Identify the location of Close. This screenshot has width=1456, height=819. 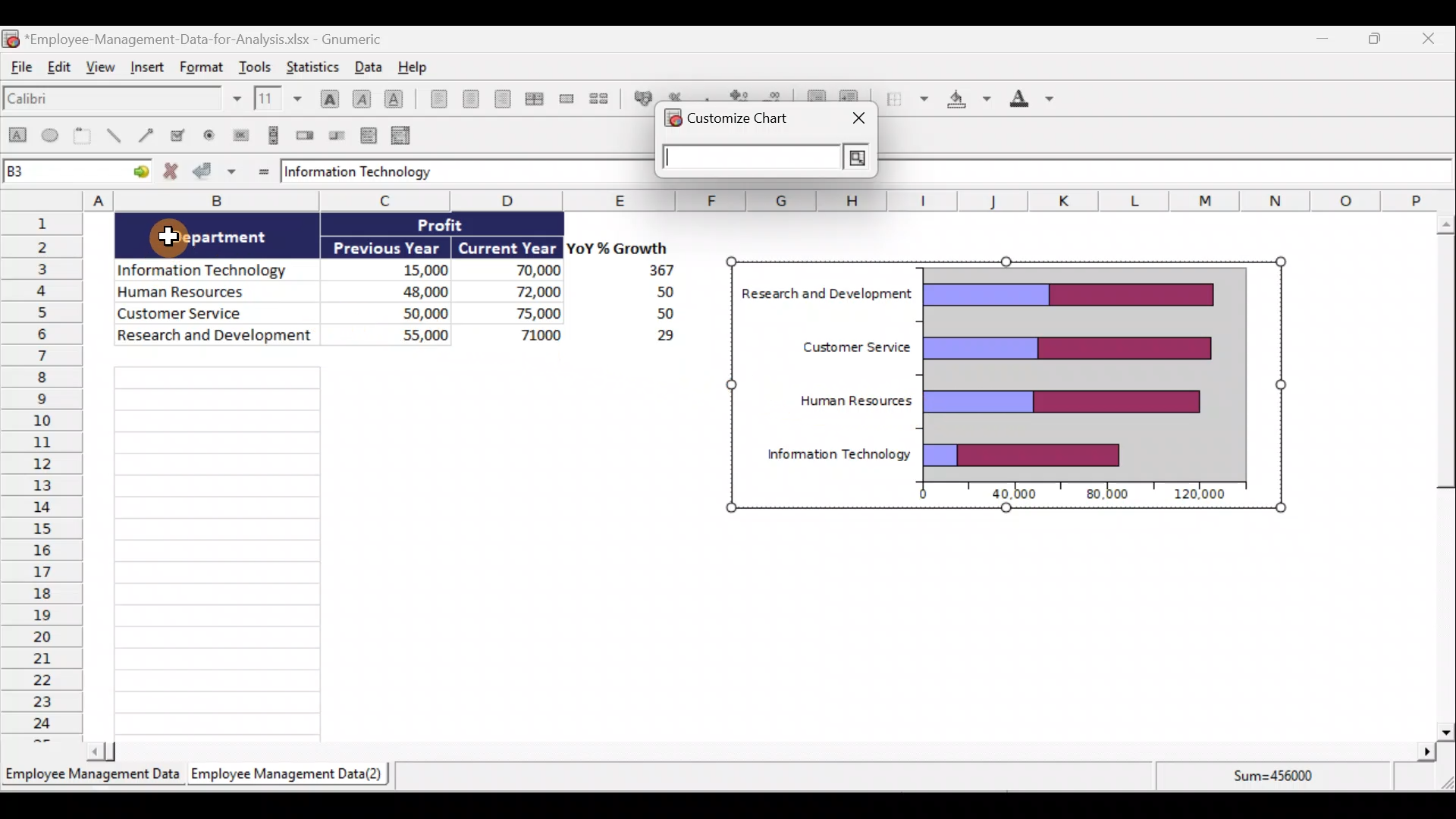
(1438, 38).